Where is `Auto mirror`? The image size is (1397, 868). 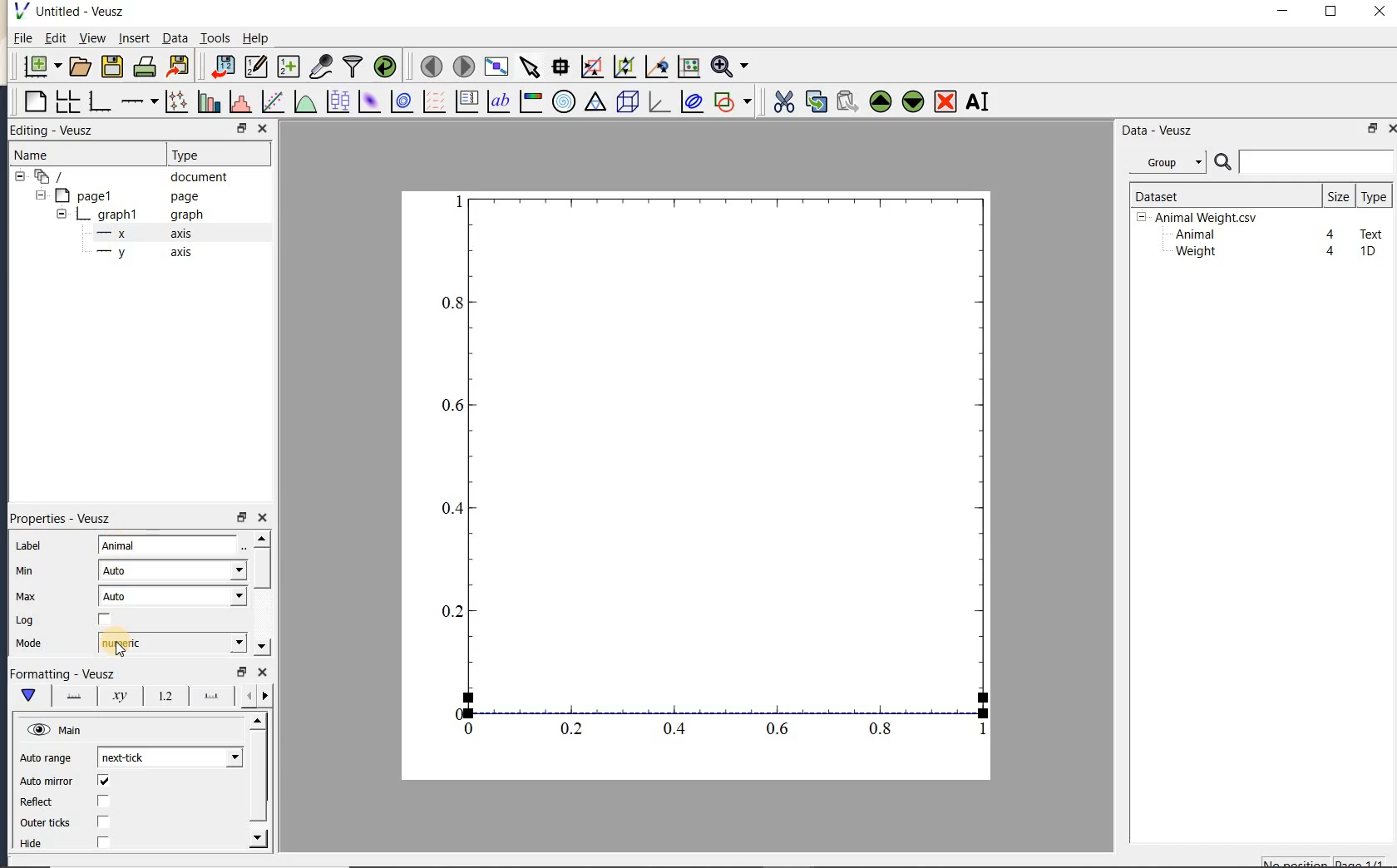 Auto mirror is located at coordinates (44, 782).